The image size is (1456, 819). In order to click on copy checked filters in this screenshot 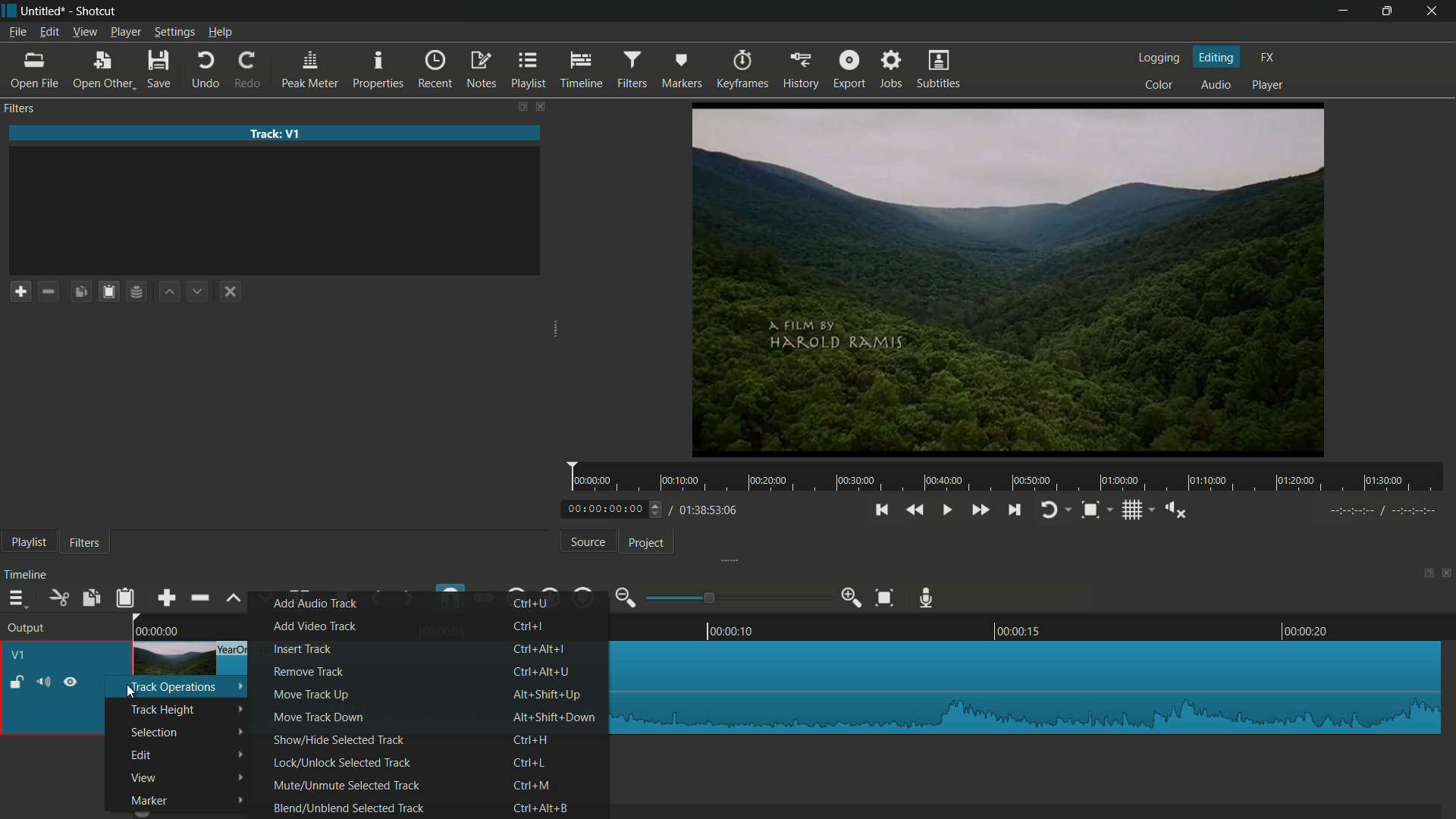, I will do `click(83, 292)`.